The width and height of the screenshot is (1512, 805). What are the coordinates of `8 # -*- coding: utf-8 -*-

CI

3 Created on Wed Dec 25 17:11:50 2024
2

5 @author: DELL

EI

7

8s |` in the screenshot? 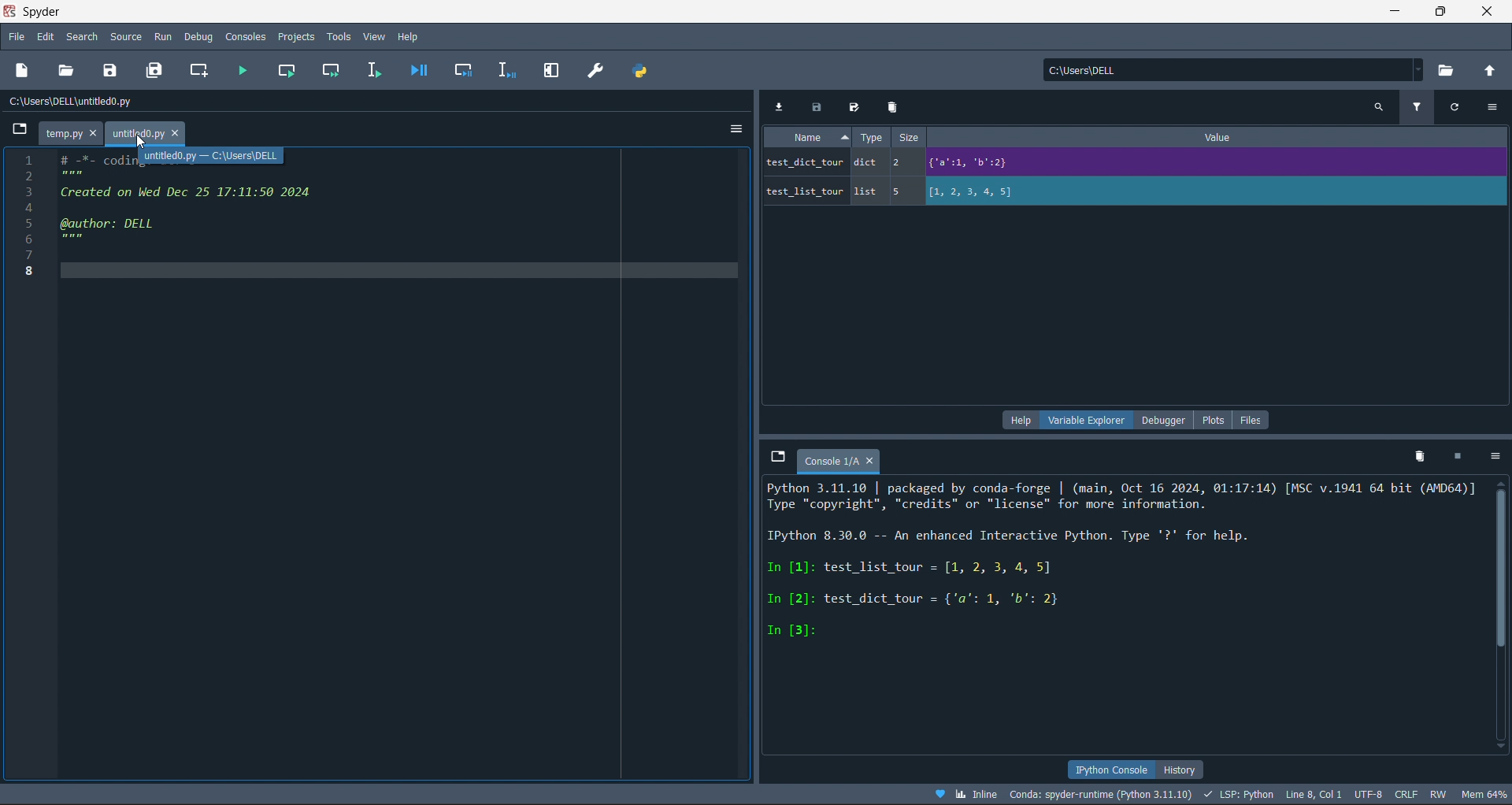 It's located at (173, 217).